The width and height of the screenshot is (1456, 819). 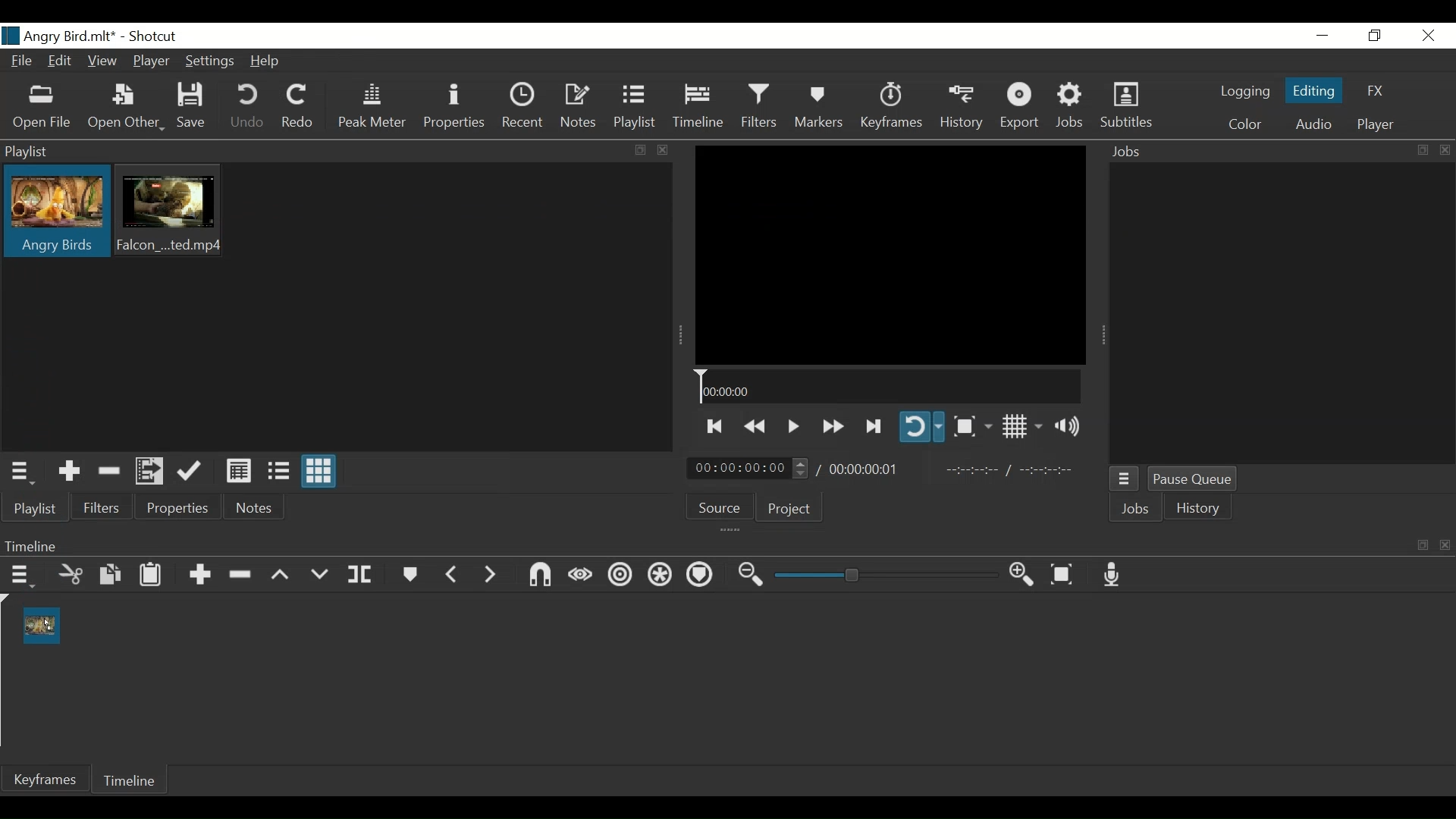 I want to click on Markers, so click(x=817, y=108).